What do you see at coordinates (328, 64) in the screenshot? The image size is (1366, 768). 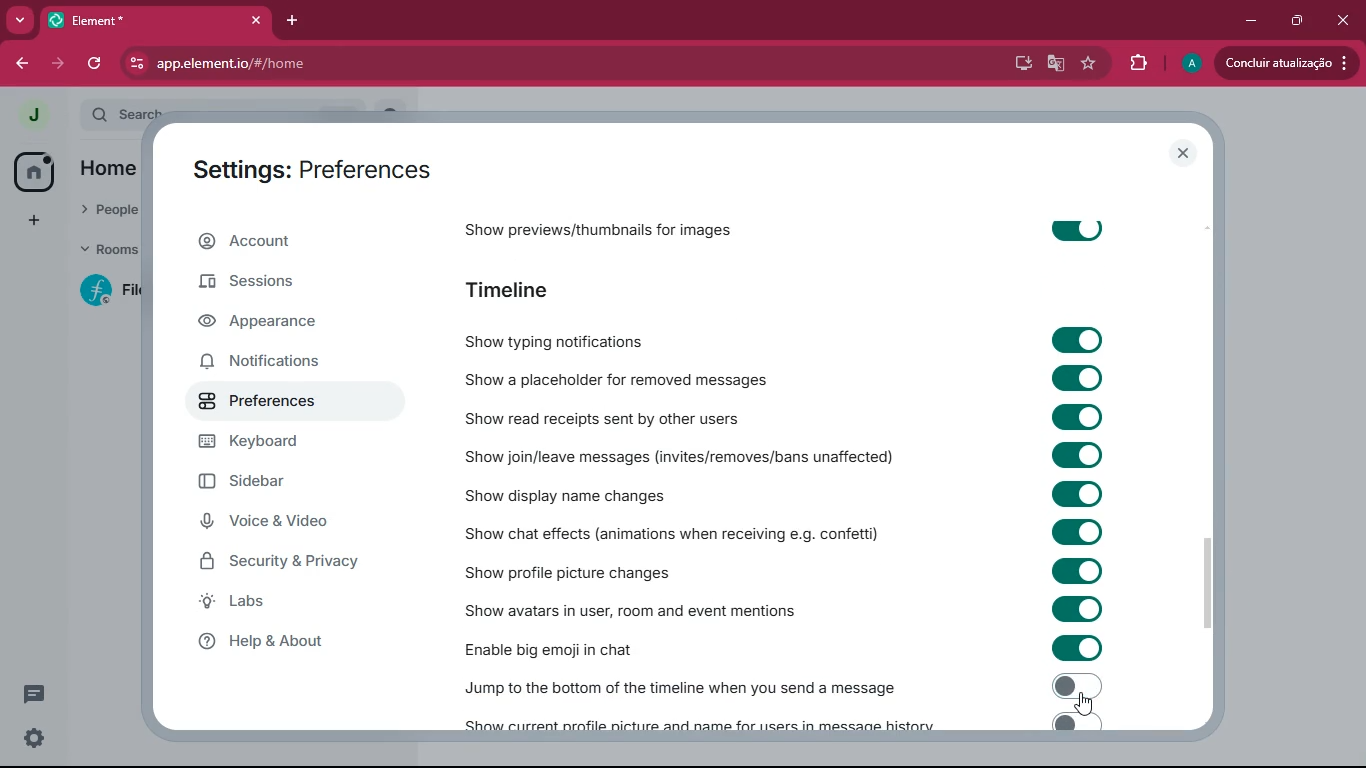 I see `app.element.io/#/home` at bounding box center [328, 64].